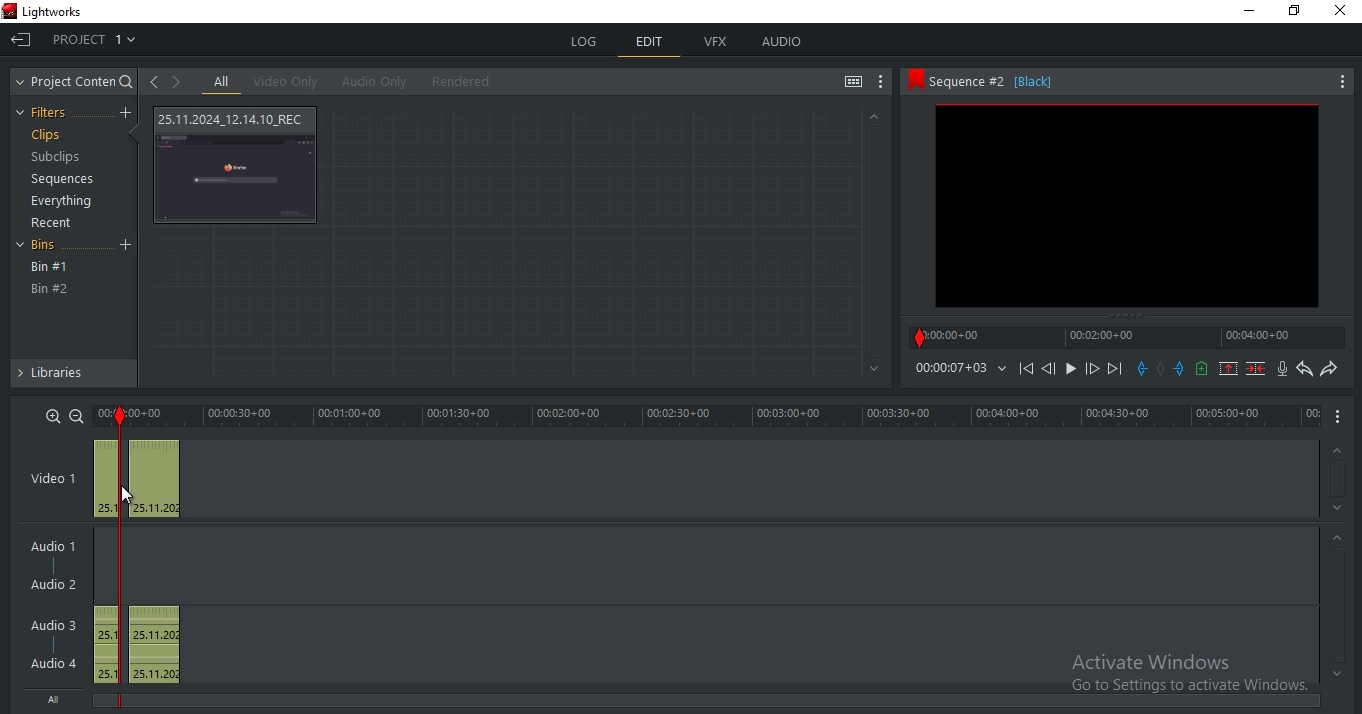 The image size is (1362, 714). What do you see at coordinates (285, 82) in the screenshot?
I see `video only` at bounding box center [285, 82].